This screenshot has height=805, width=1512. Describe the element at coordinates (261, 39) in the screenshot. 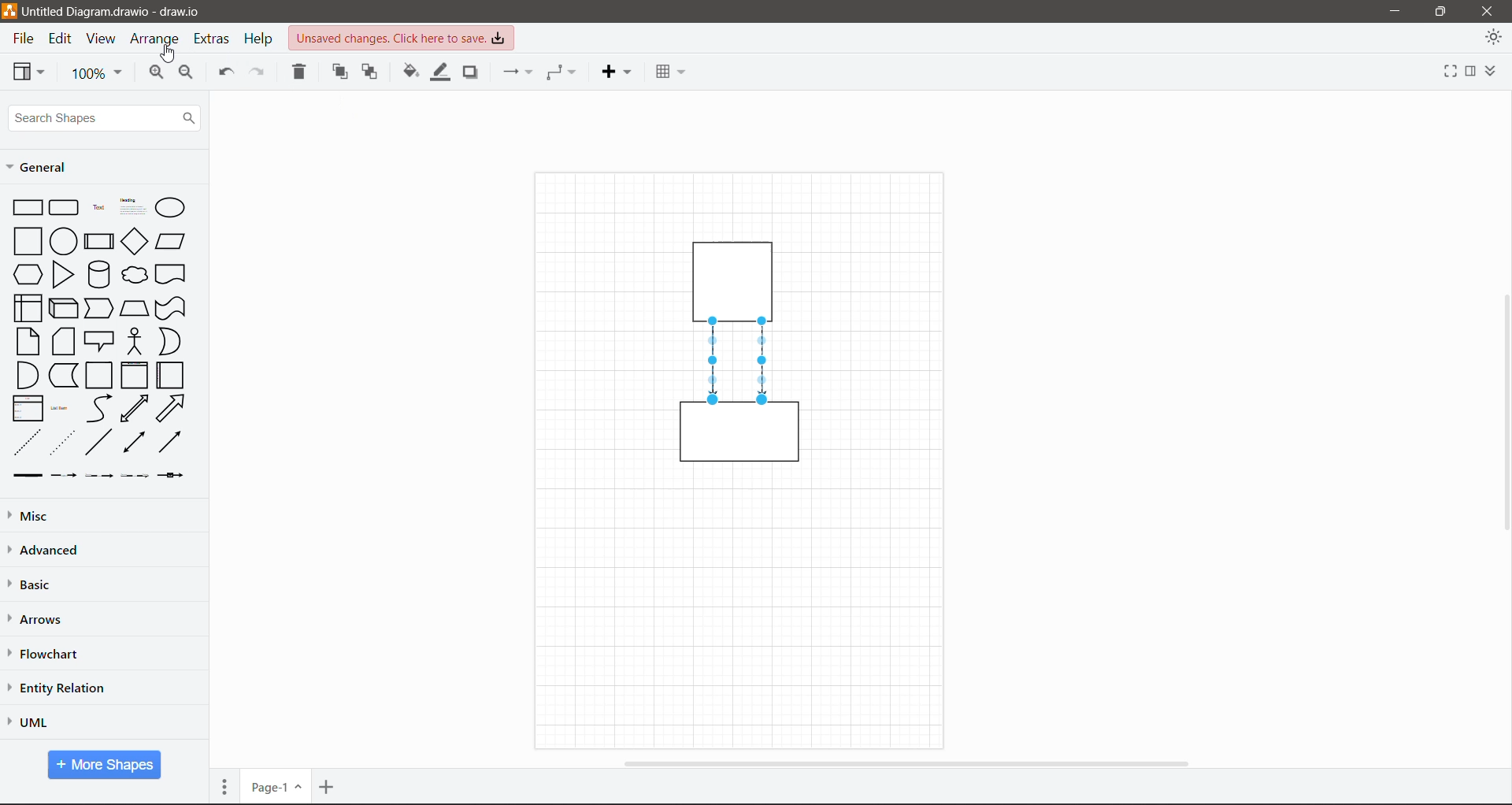

I see `Help` at that location.